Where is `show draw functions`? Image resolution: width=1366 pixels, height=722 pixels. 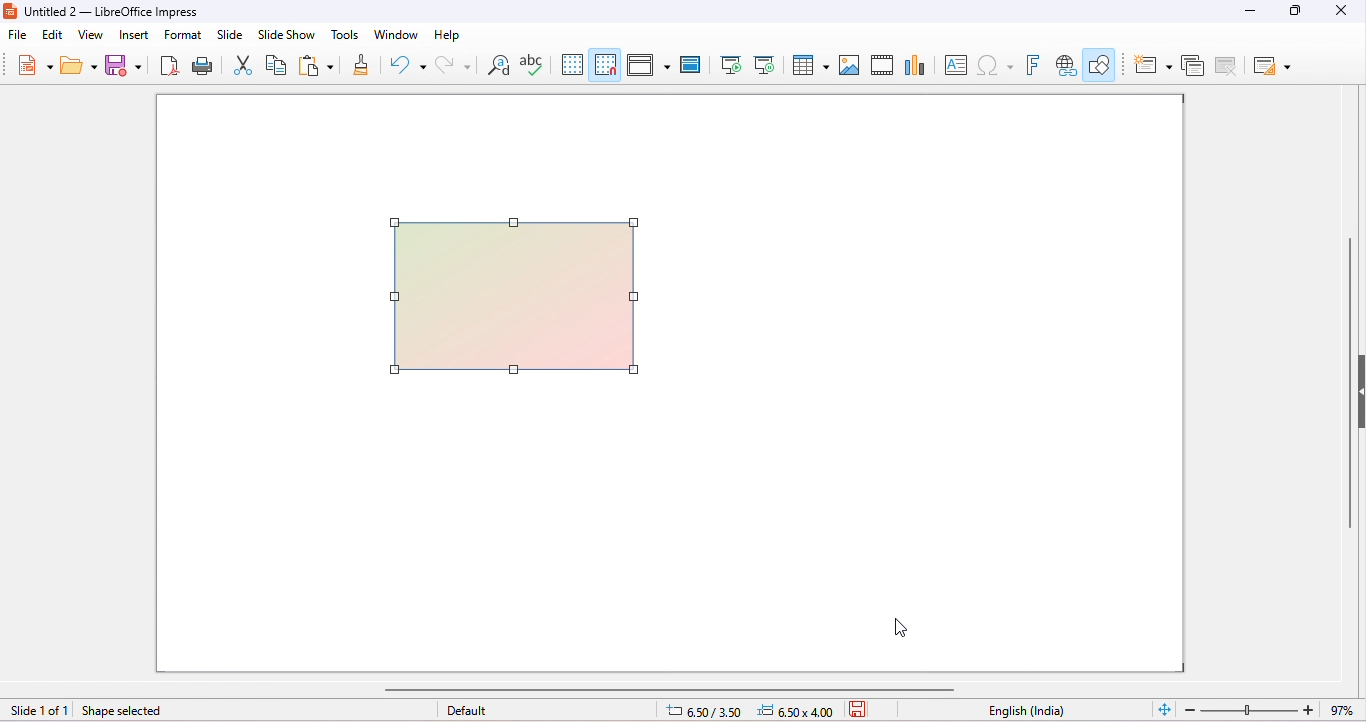 show draw functions is located at coordinates (1101, 63).